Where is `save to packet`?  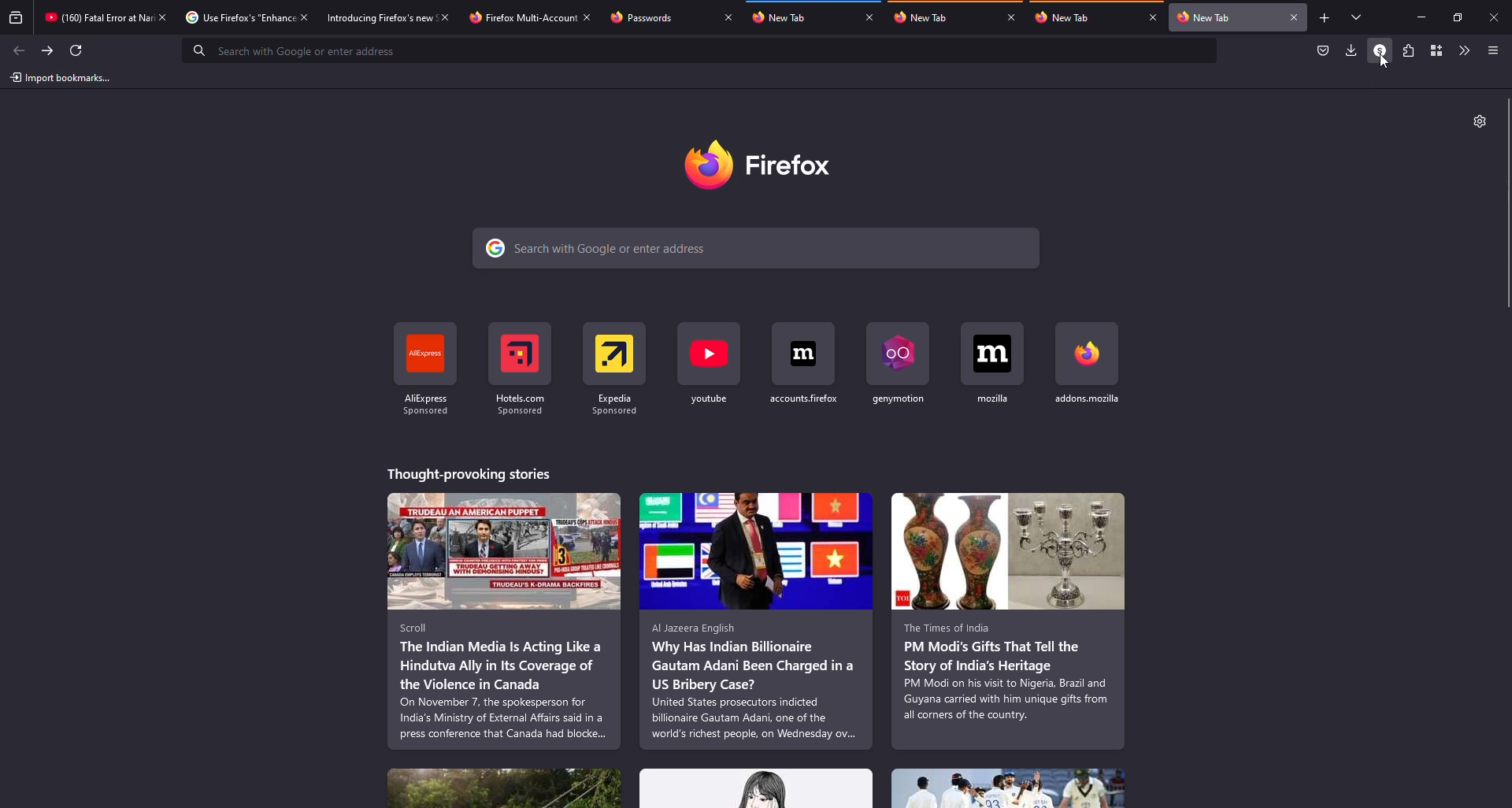 save to packet is located at coordinates (1320, 50).